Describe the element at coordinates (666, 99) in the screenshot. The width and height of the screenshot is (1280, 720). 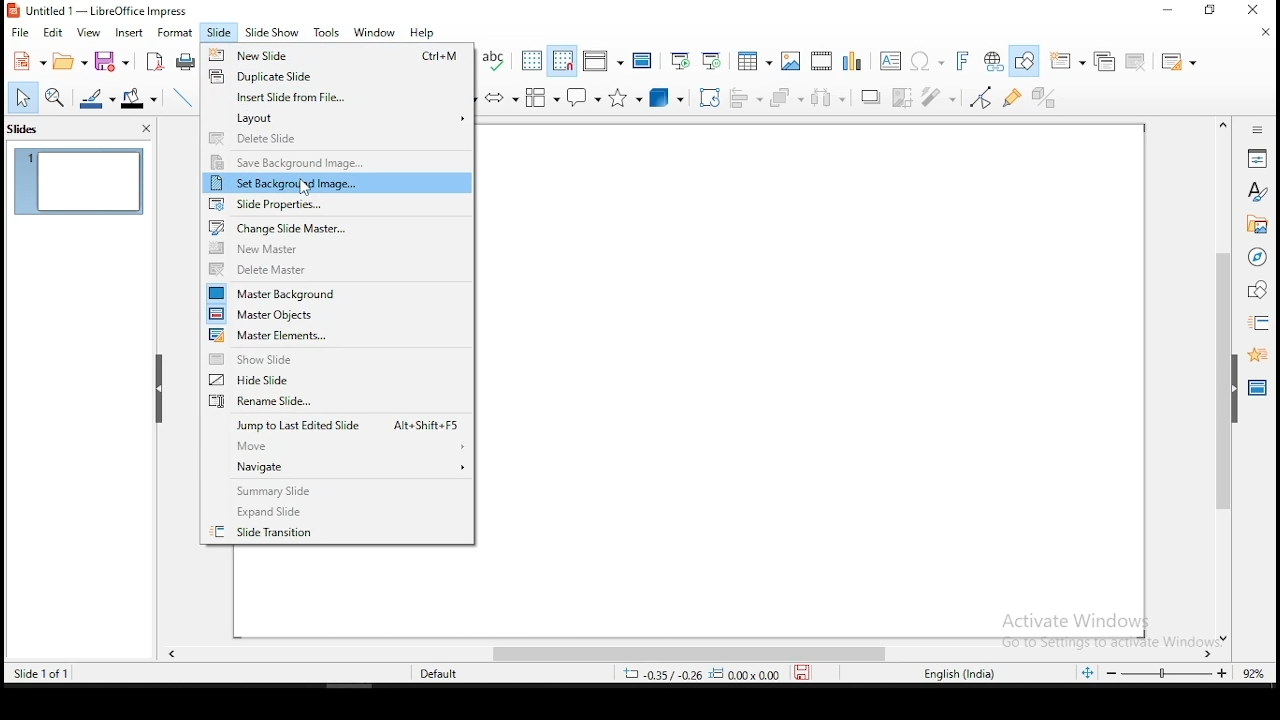
I see `3D objects` at that location.